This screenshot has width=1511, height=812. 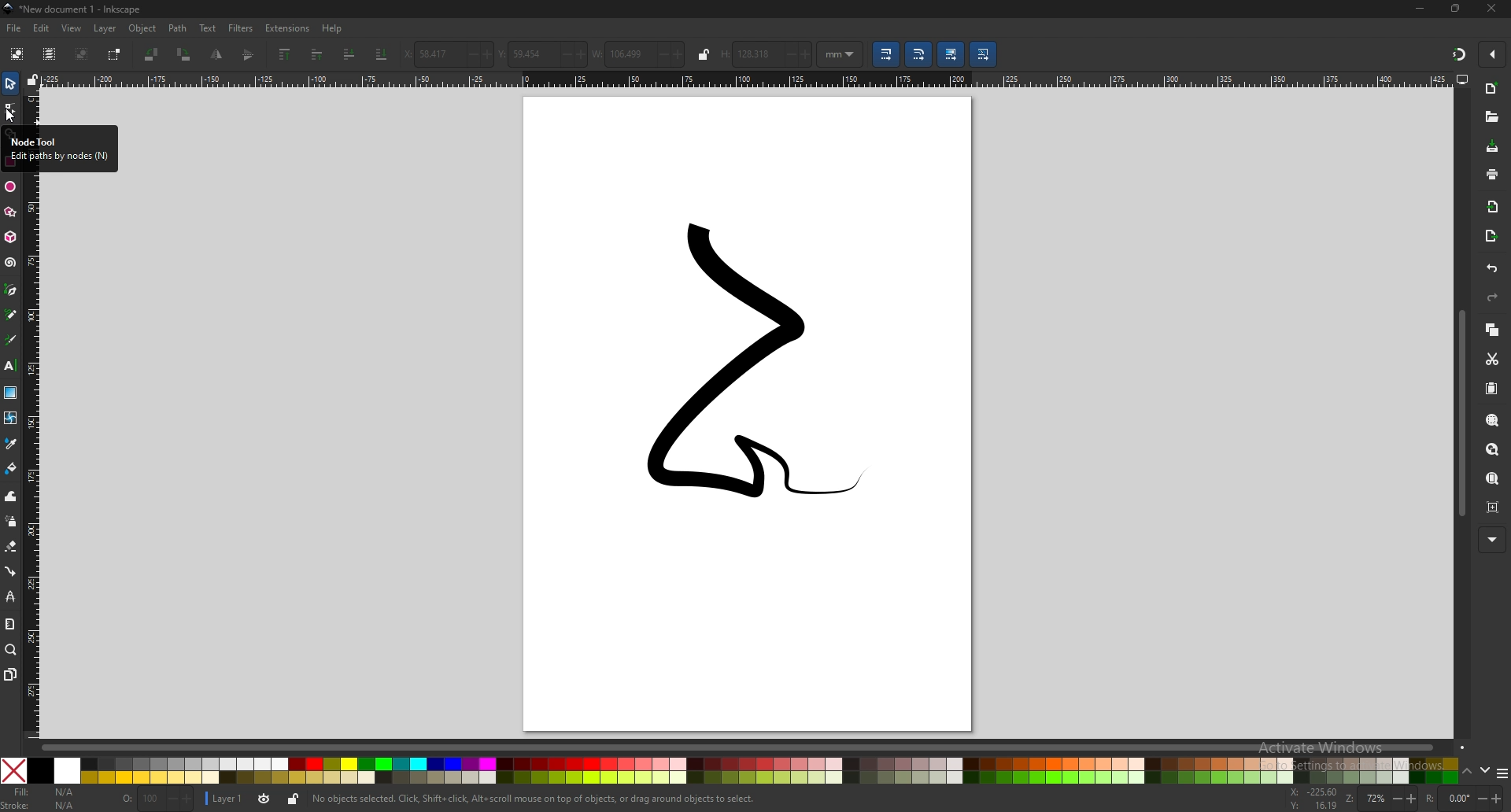 What do you see at coordinates (1491, 117) in the screenshot?
I see `open` at bounding box center [1491, 117].